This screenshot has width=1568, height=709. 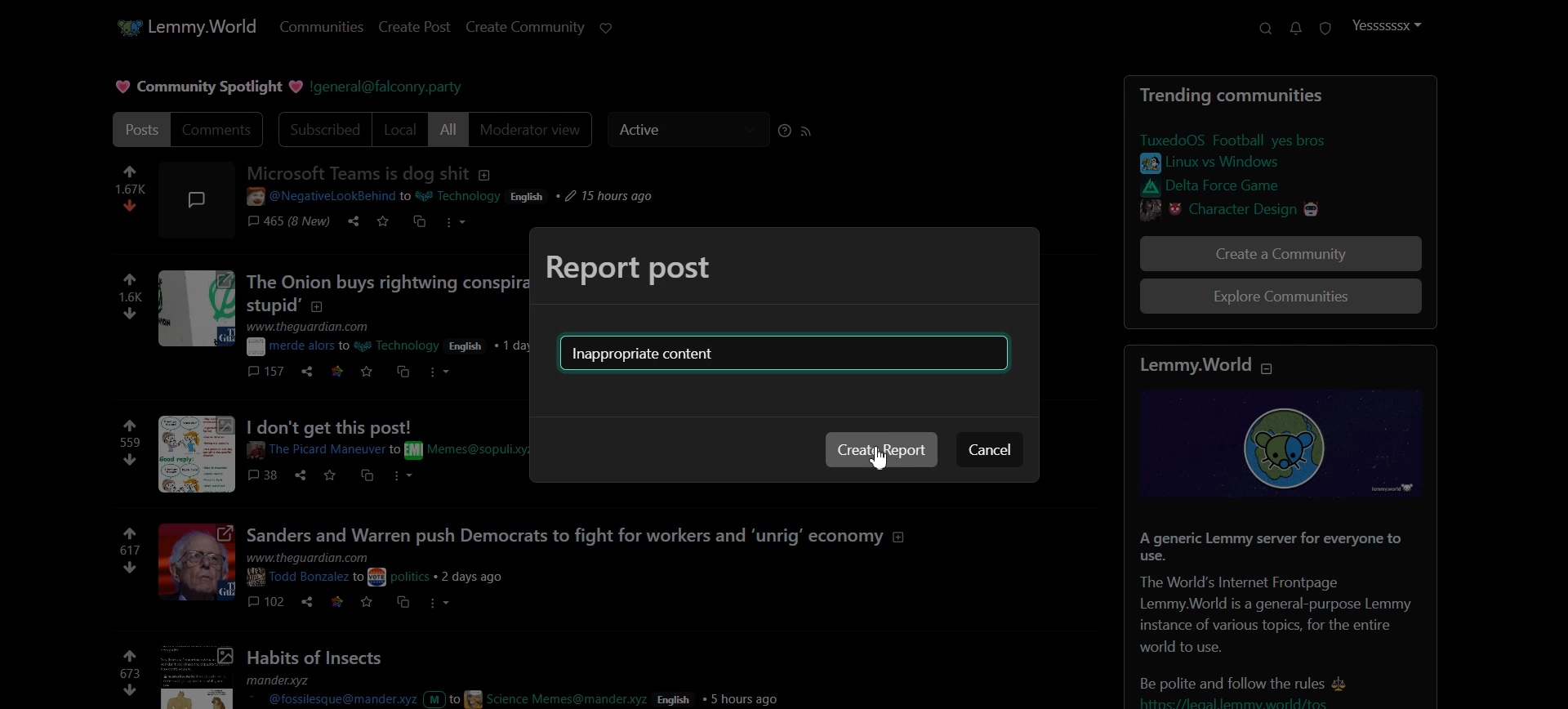 What do you see at coordinates (131, 426) in the screenshot?
I see `like` at bounding box center [131, 426].